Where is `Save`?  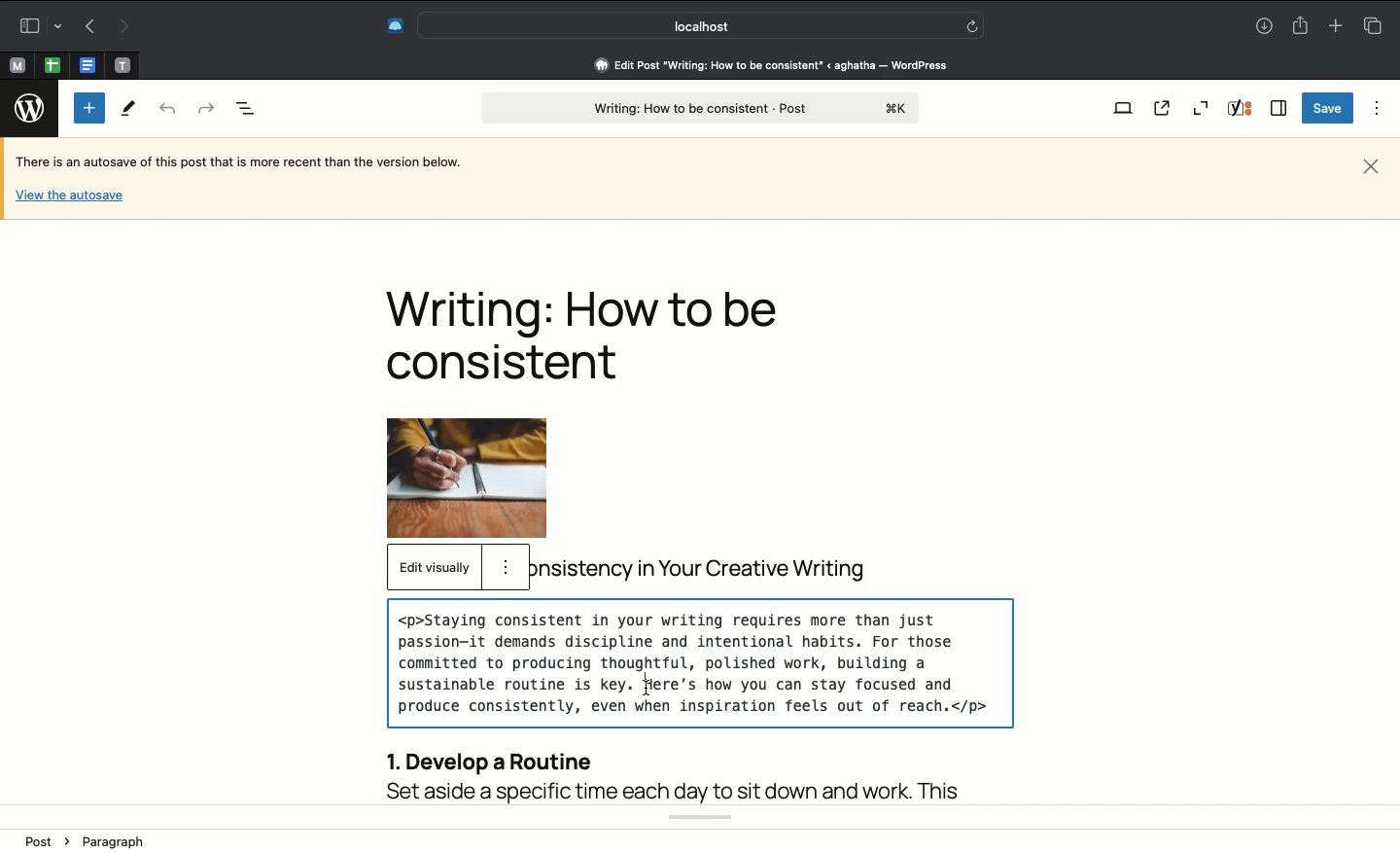 Save is located at coordinates (1325, 109).